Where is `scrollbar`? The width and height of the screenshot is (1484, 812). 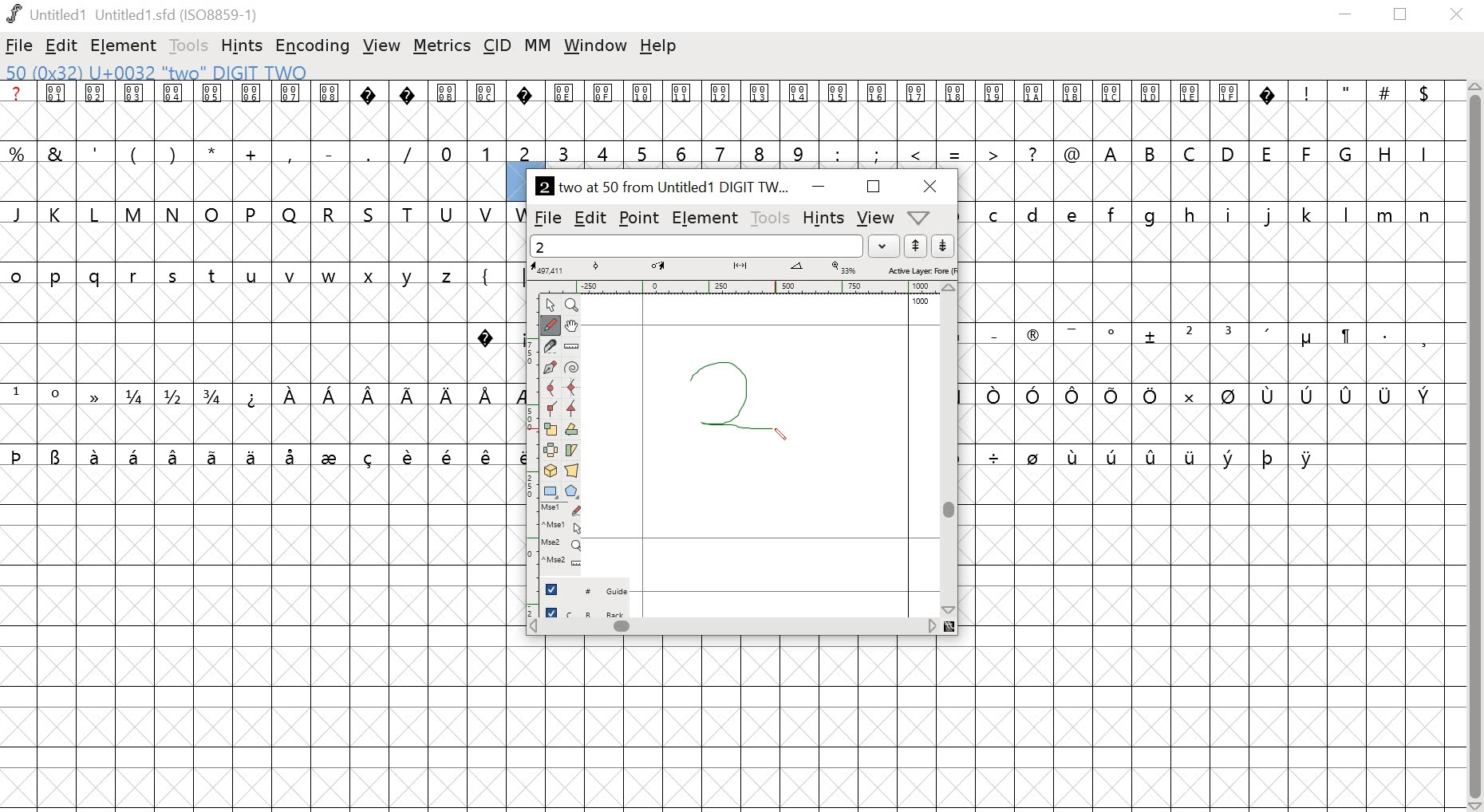 scrollbar is located at coordinates (948, 450).